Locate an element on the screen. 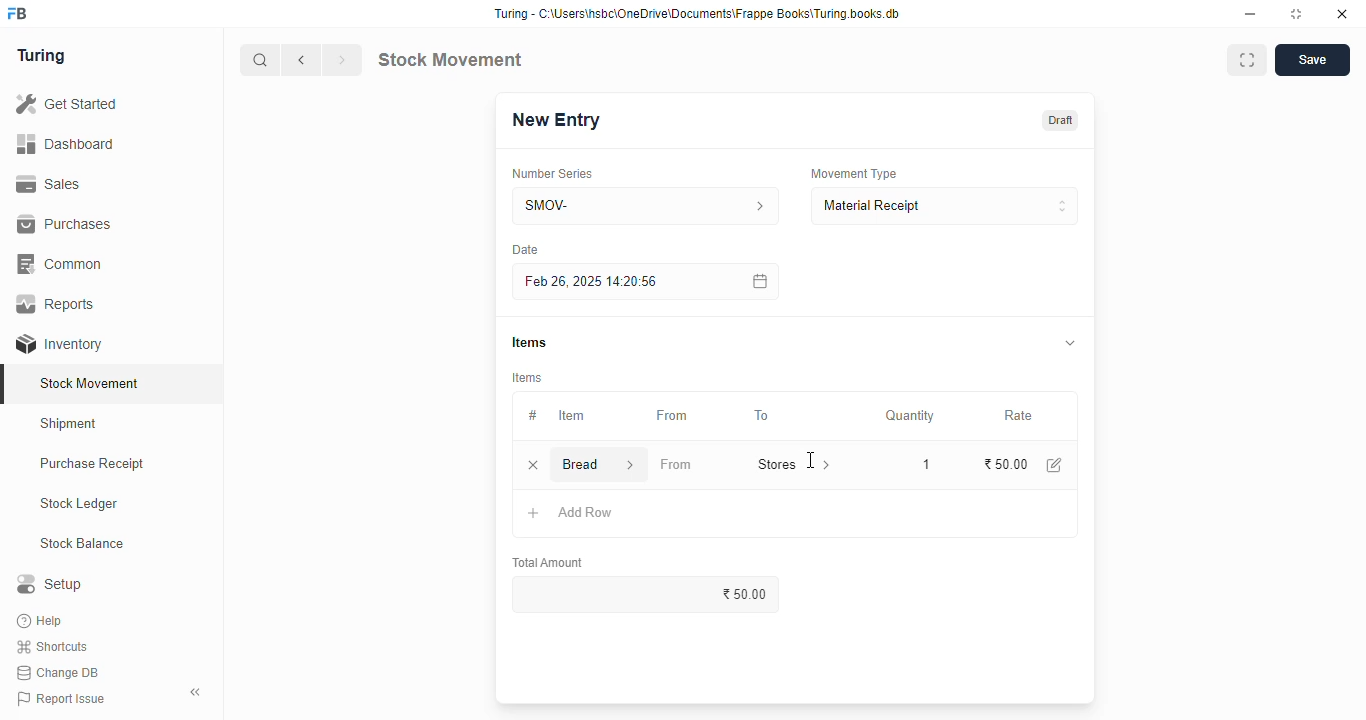 The image size is (1366, 720). material receipt is located at coordinates (944, 206).